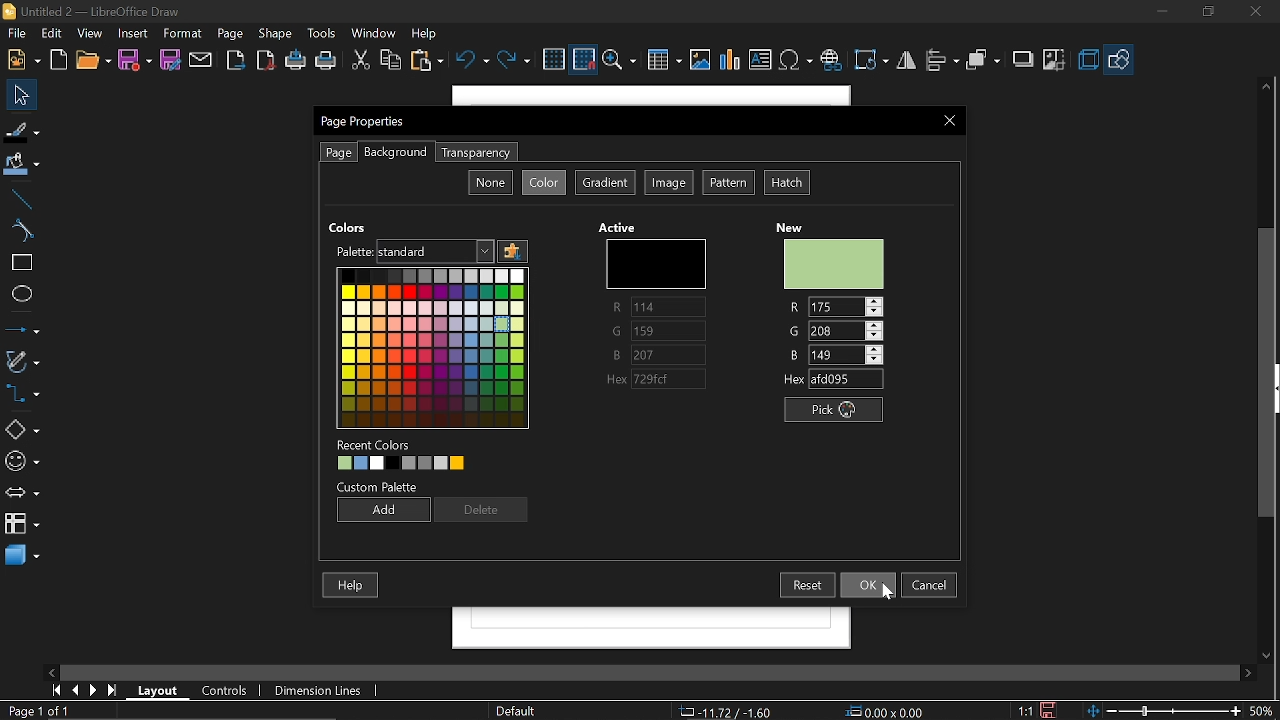  Describe the element at coordinates (296, 62) in the screenshot. I see `Print directly` at that location.